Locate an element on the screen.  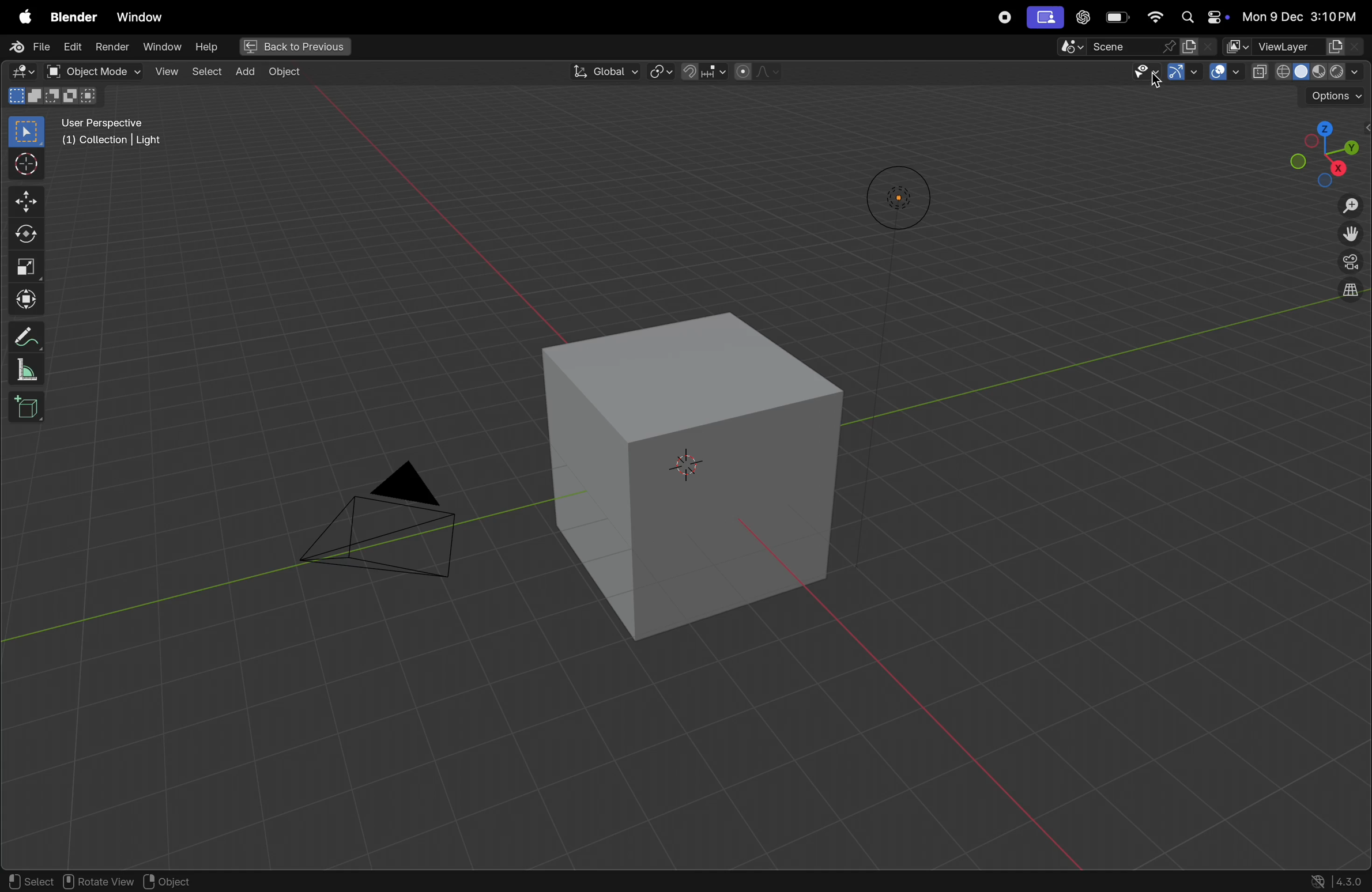
select is located at coordinates (205, 71).